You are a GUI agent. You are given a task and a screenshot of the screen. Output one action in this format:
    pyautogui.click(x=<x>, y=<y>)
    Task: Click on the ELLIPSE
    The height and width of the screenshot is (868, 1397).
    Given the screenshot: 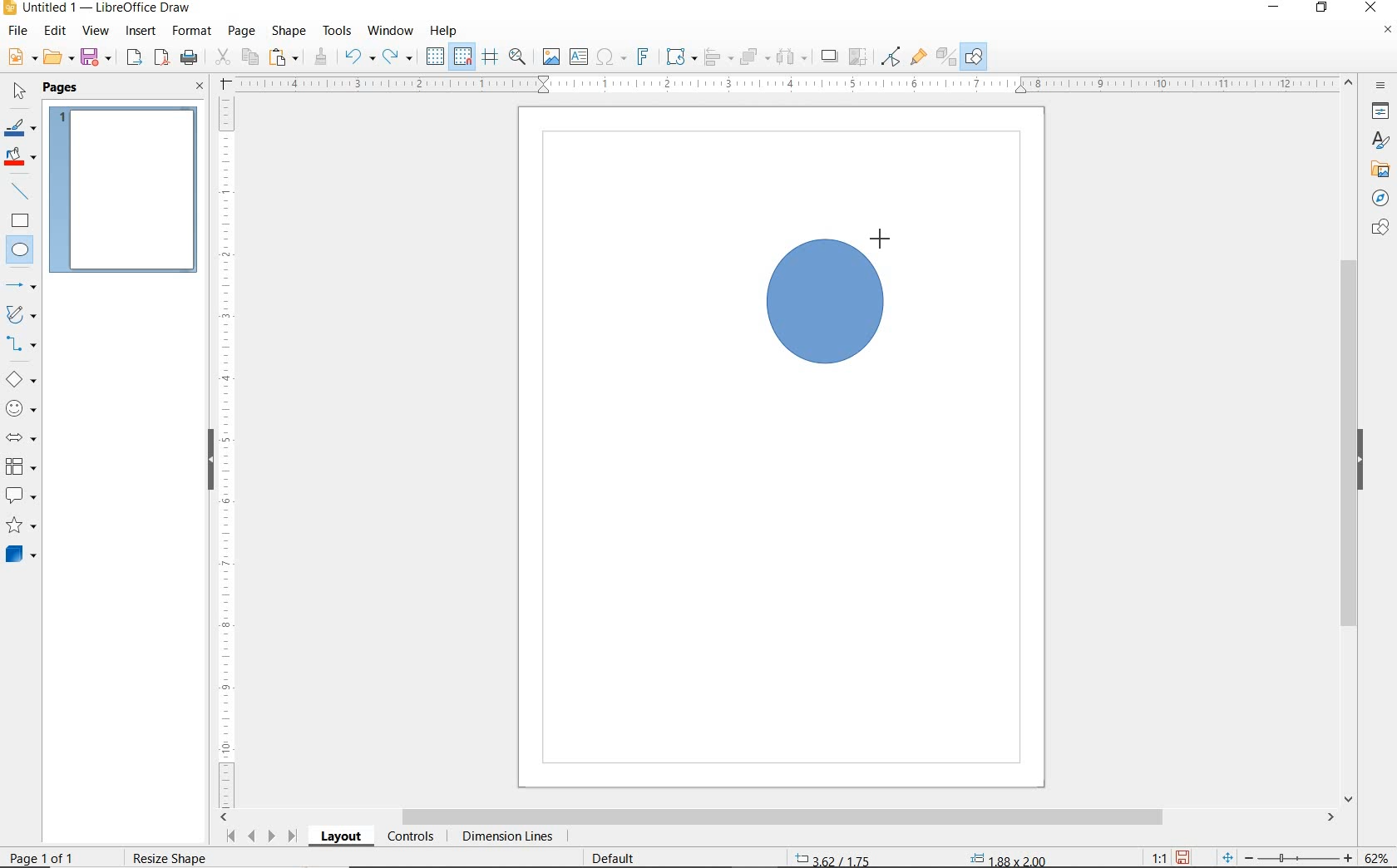 What is the action you would take?
    pyautogui.click(x=21, y=251)
    